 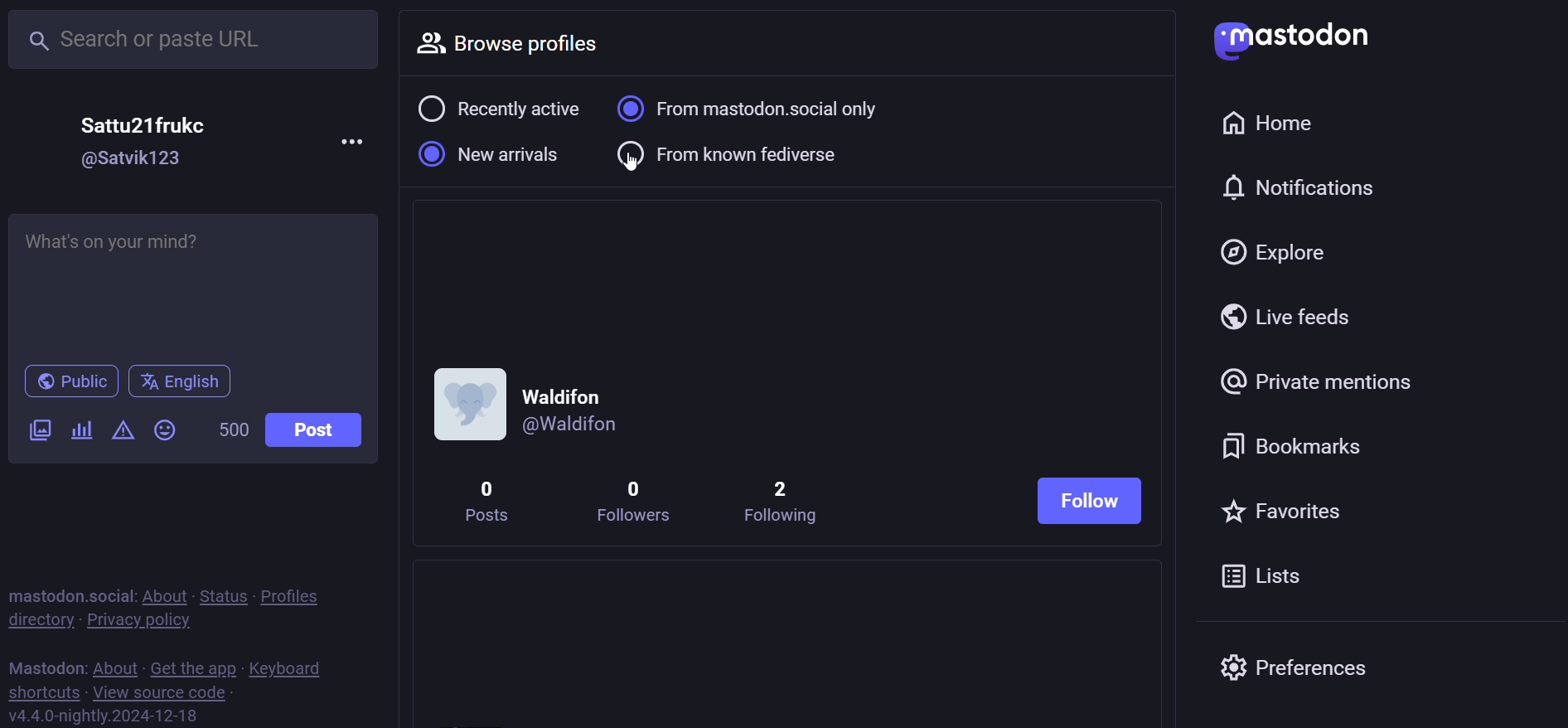 What do you see at coordinates (465, 404) in the screenshot?
I see `profile picture` at bounding box center [465, 404].